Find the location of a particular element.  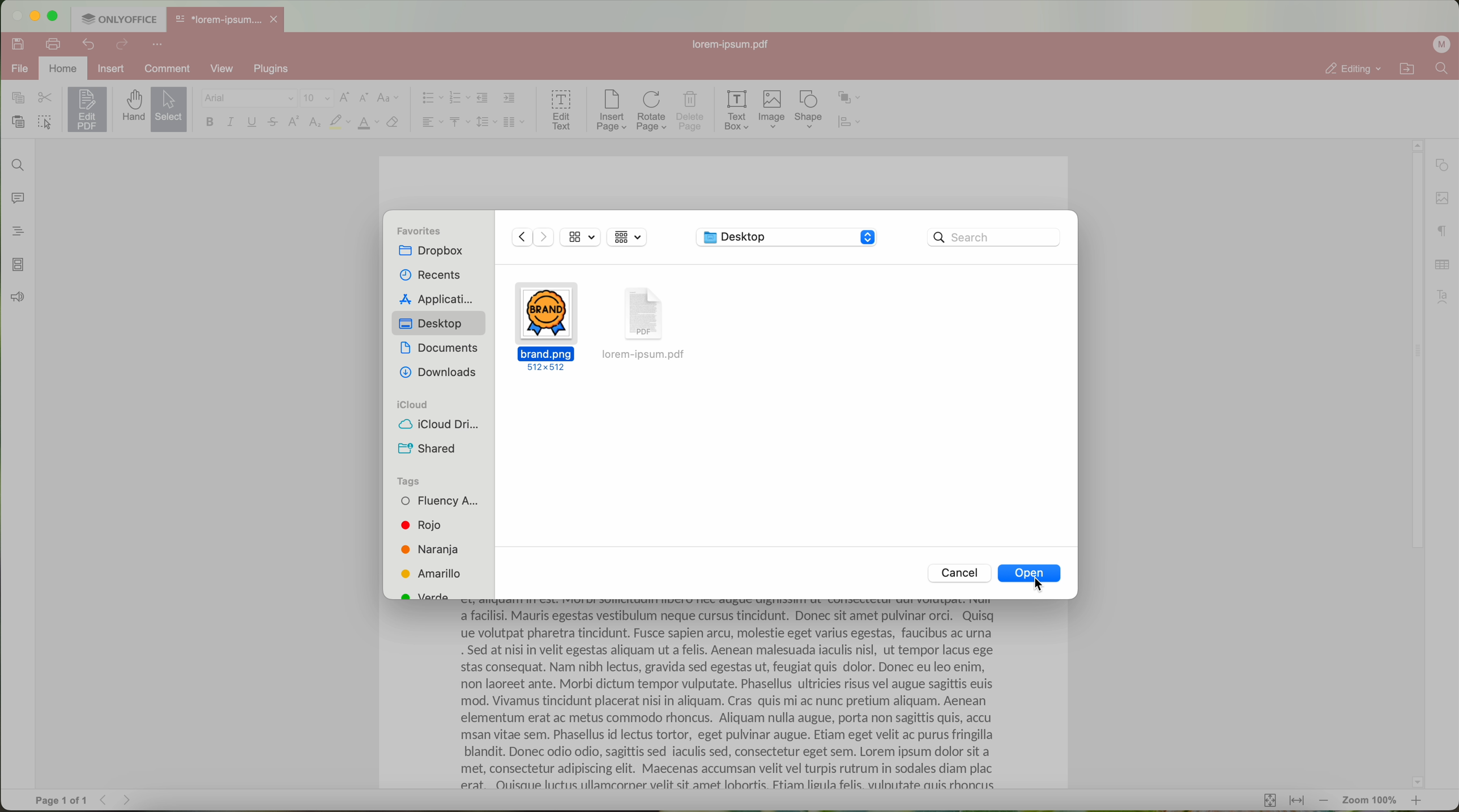

select all is located at coordinates (45, 123).